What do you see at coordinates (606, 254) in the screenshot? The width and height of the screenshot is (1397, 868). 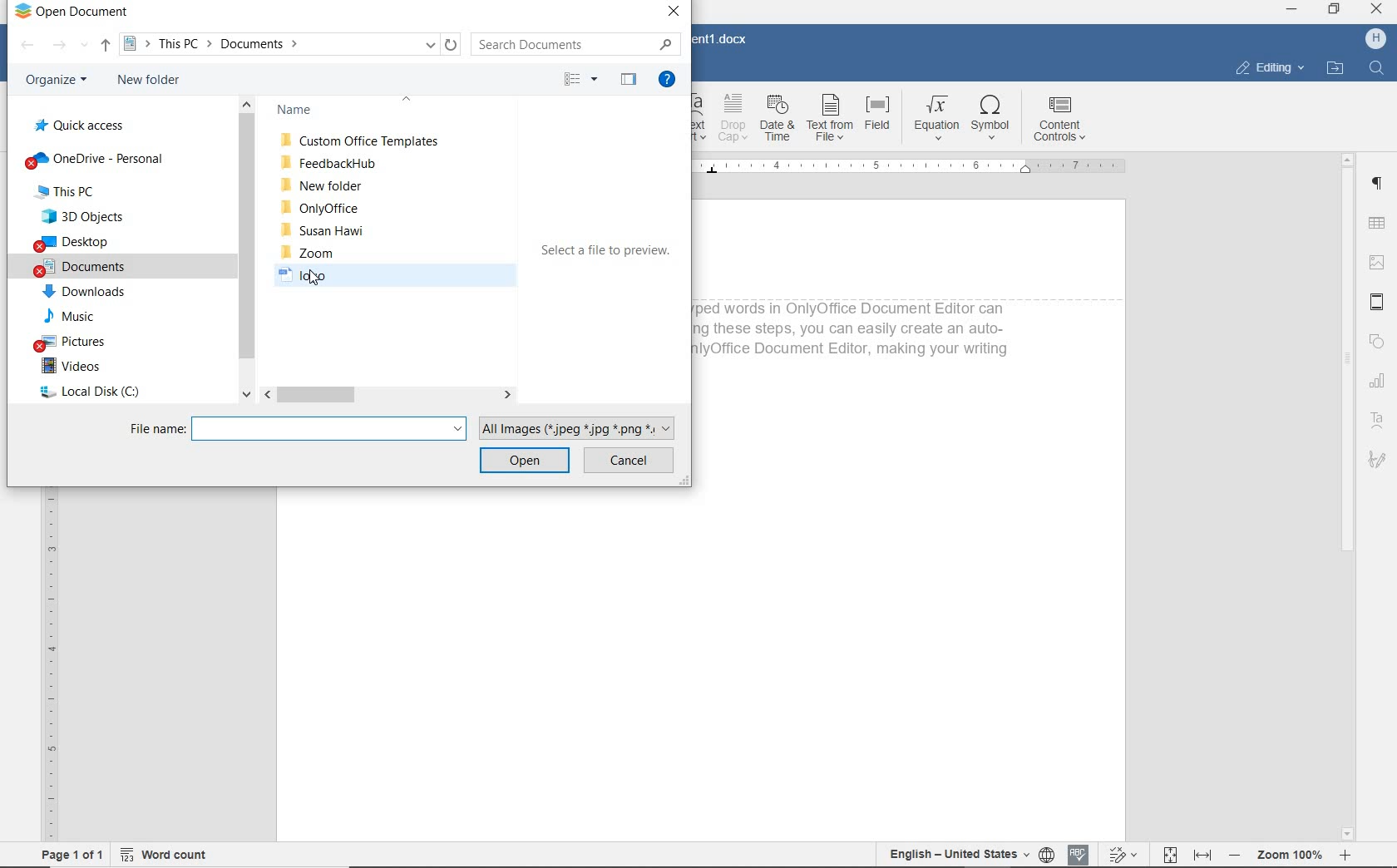 I see `SELECT A FILE TO PREVIEW` at bounding box center [606, 254].